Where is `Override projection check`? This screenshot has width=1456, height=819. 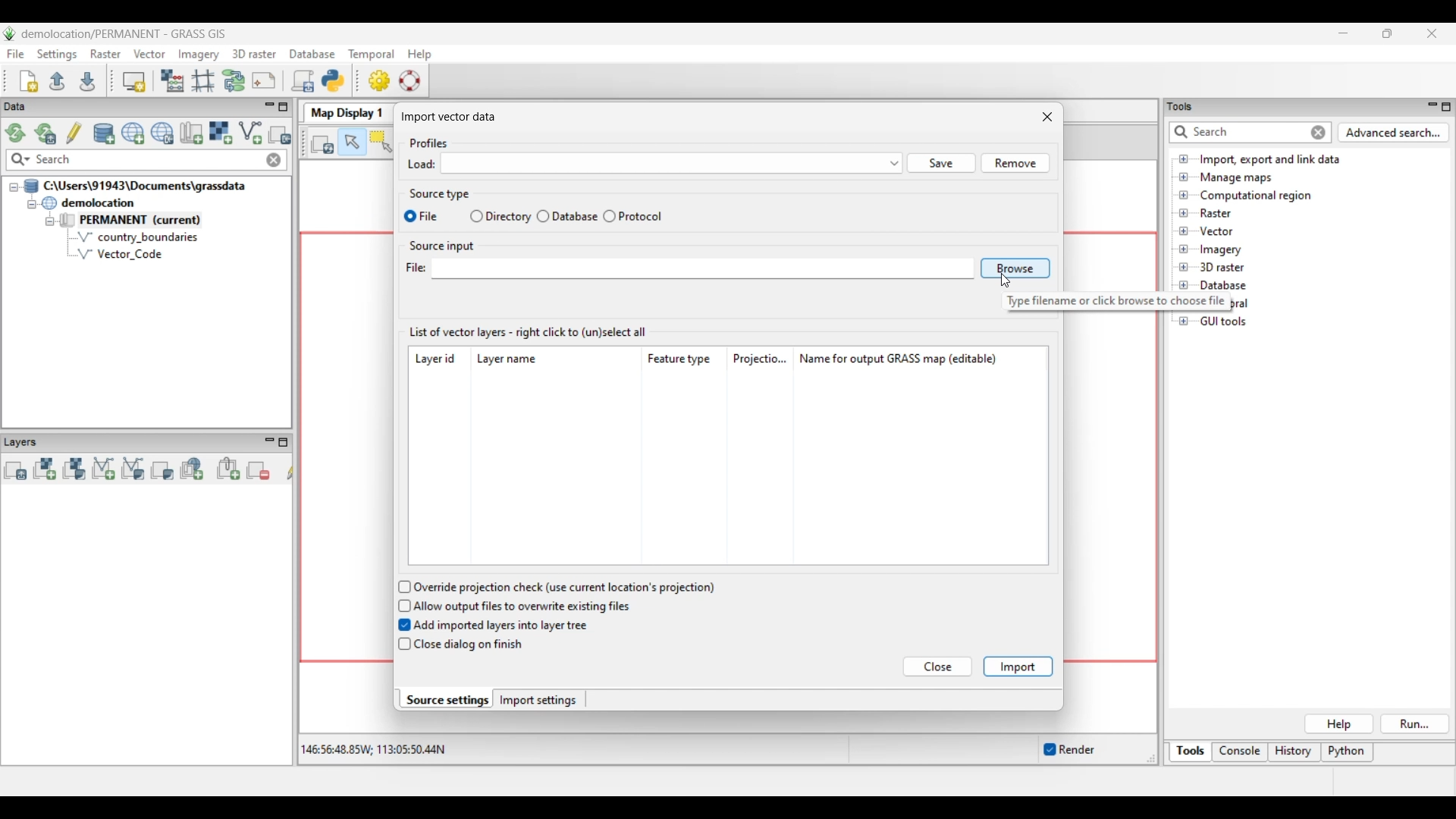
Override projection check is located at coordinates (563, 587).